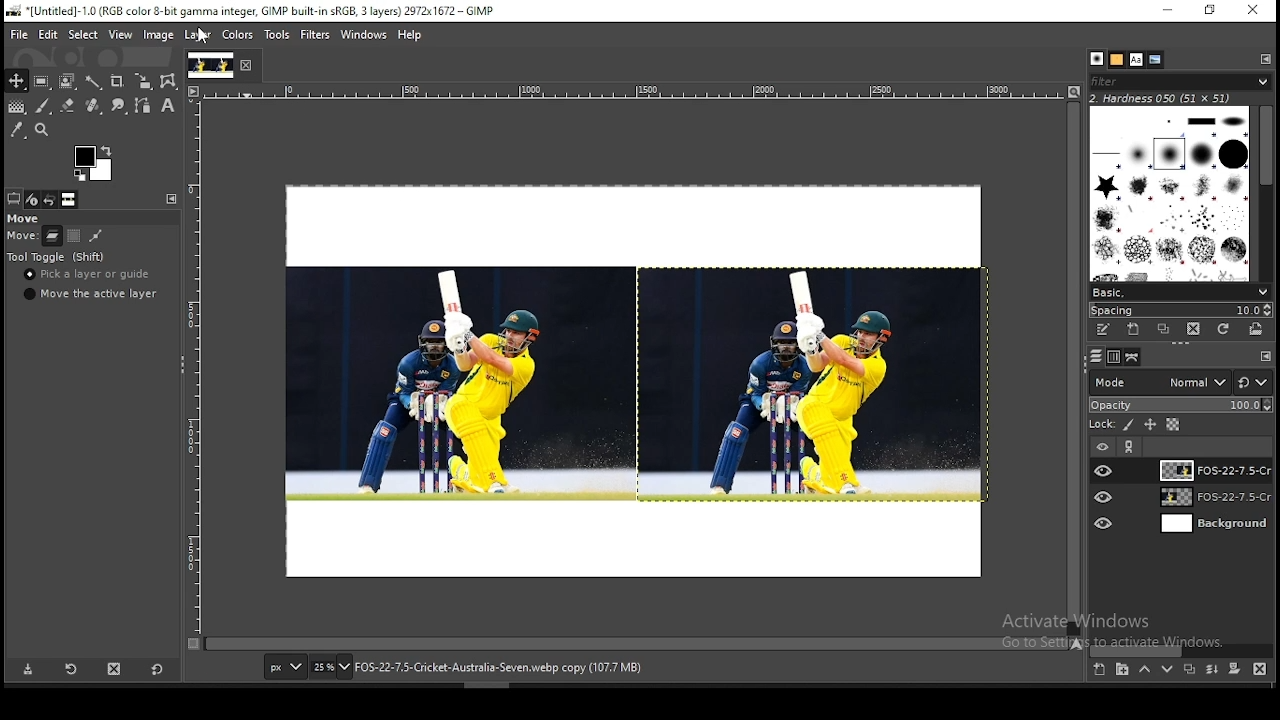 The height and width of the screenshot is (720, 1280). I want to click on image (duplicate), so click(811, 386).